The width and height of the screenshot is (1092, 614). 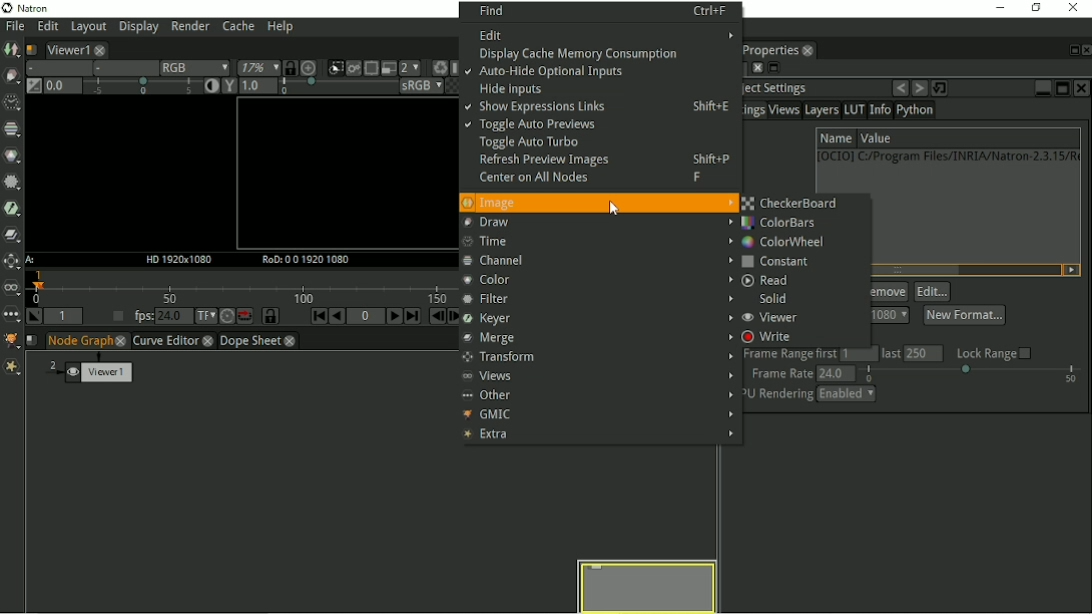 I want to click on Script name, so click(x=33, y=341).